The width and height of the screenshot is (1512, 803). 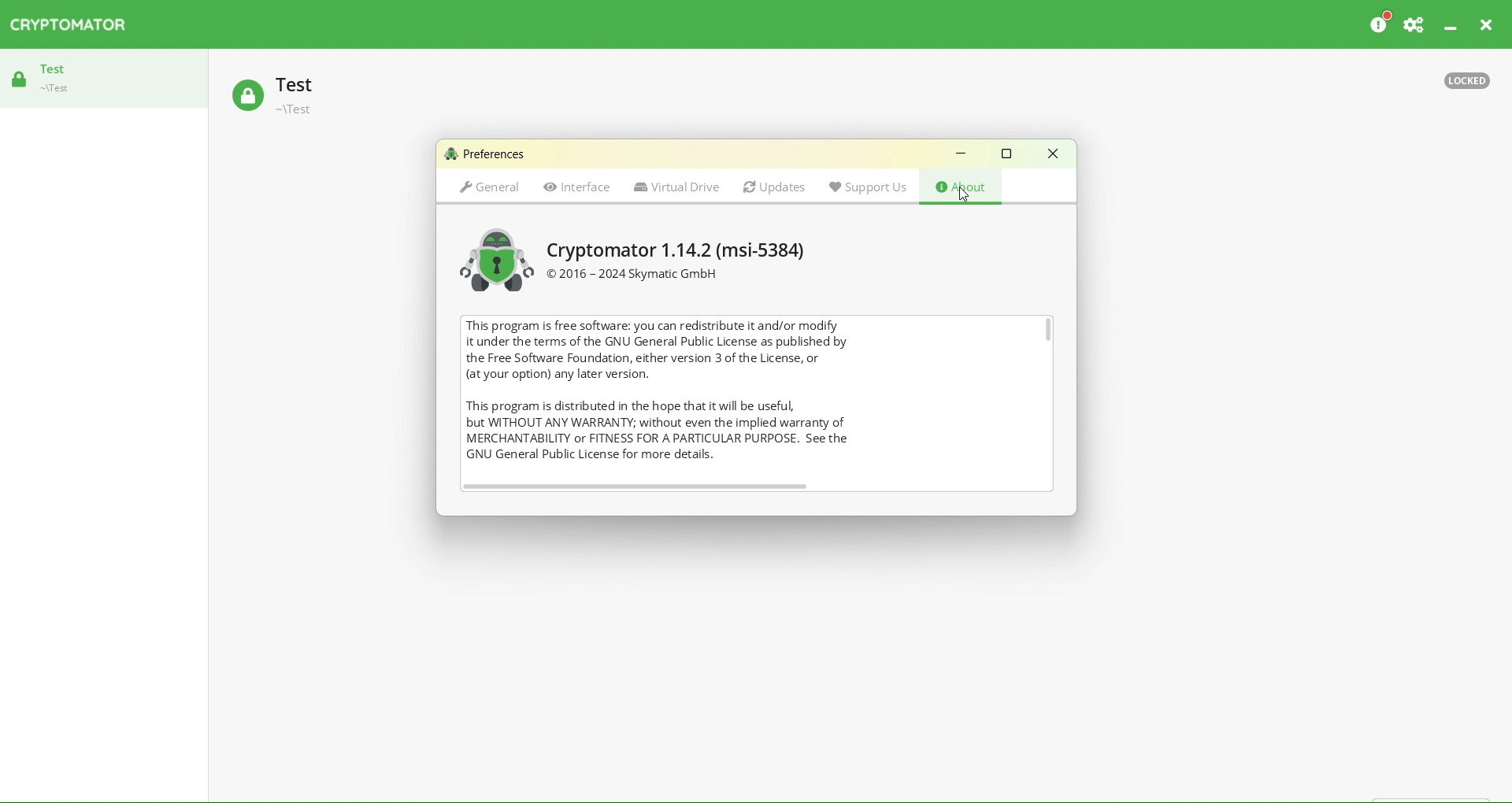 I want to click on Interface, so click(x=576, y=189).